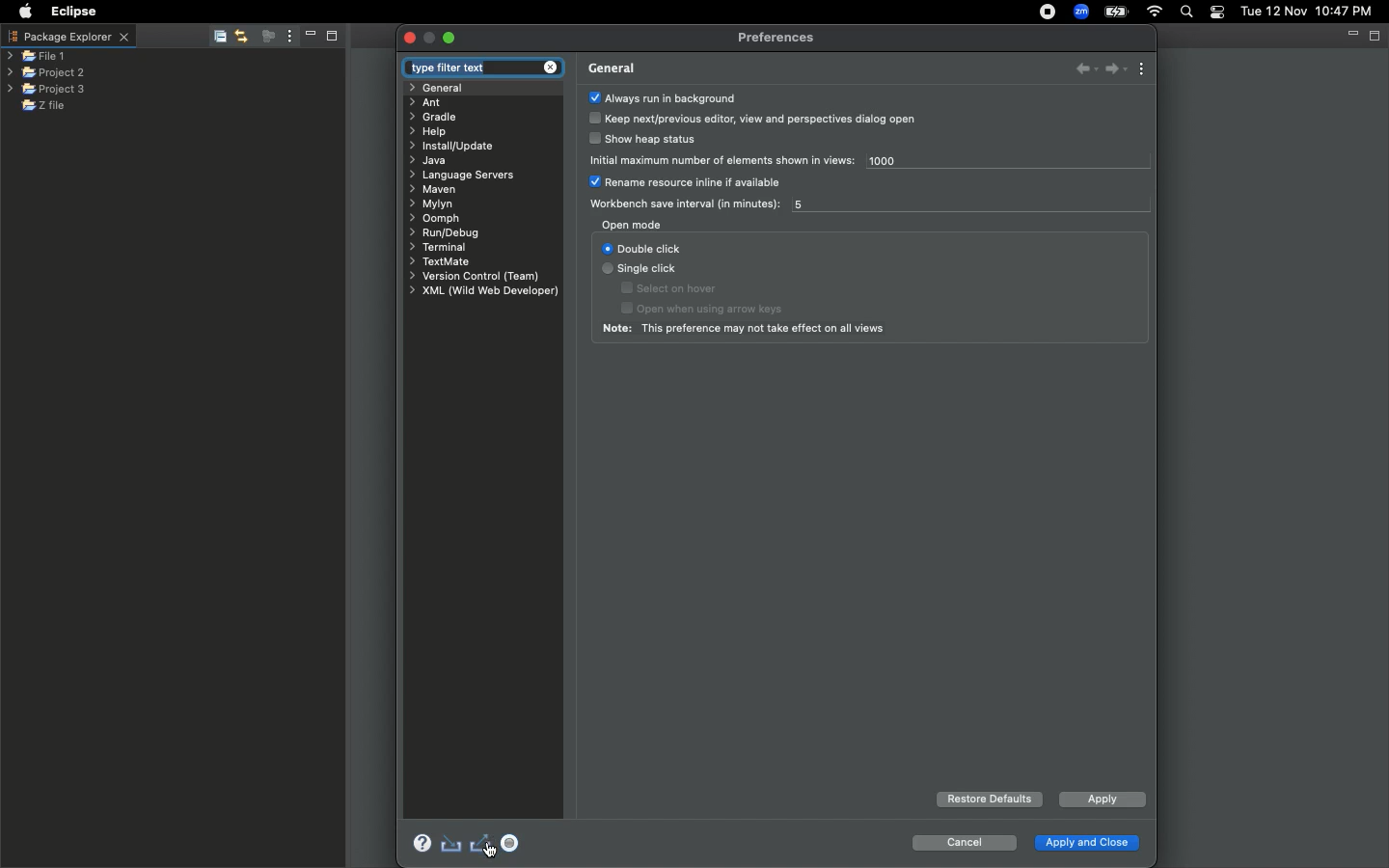  What do you see at coordinates (612, 68) in the screenshot?
I see `General` at bounding box center [612, 68].